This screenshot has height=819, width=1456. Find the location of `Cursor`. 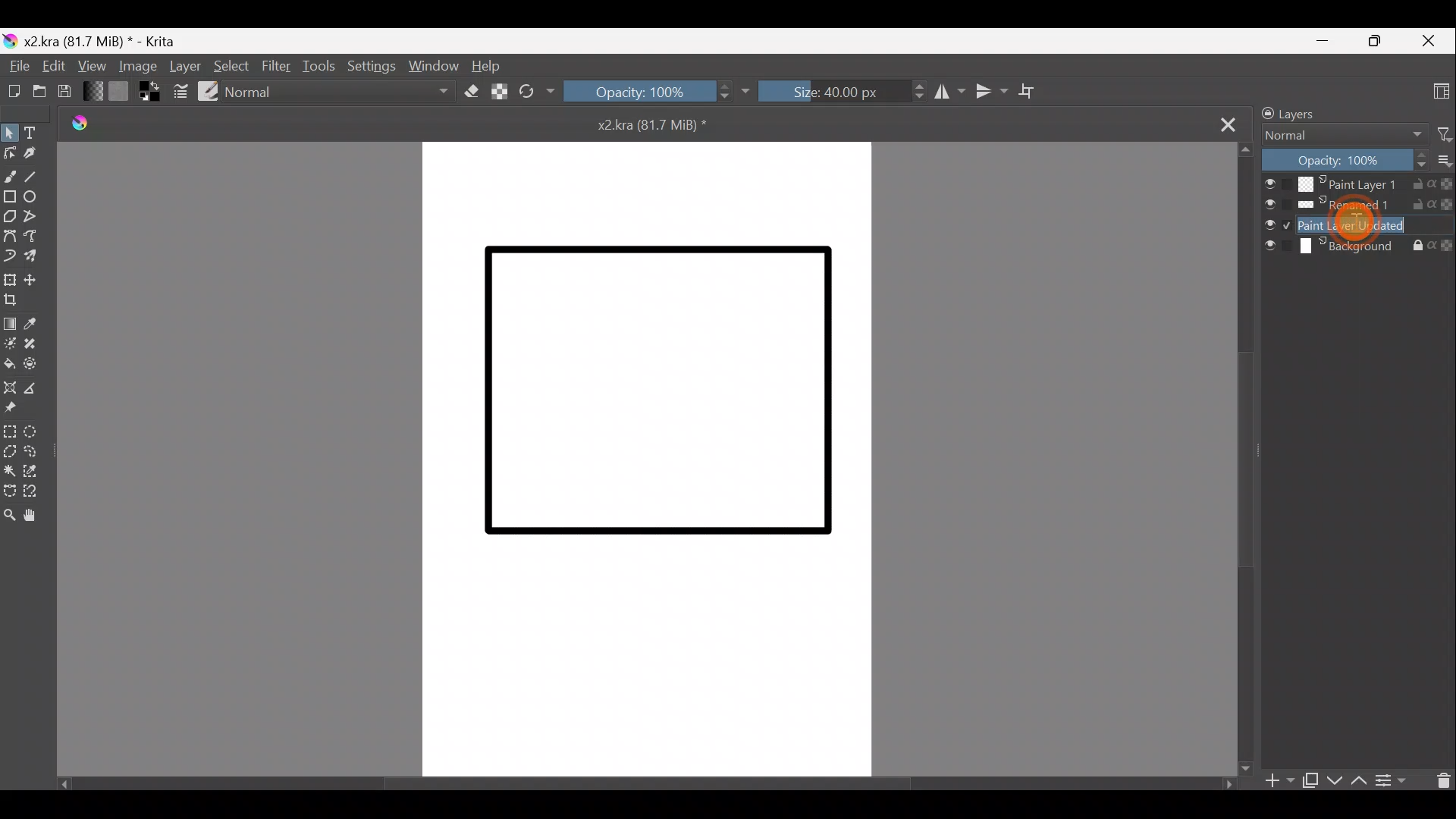

Cursor is located at coordinates (1355, 227).